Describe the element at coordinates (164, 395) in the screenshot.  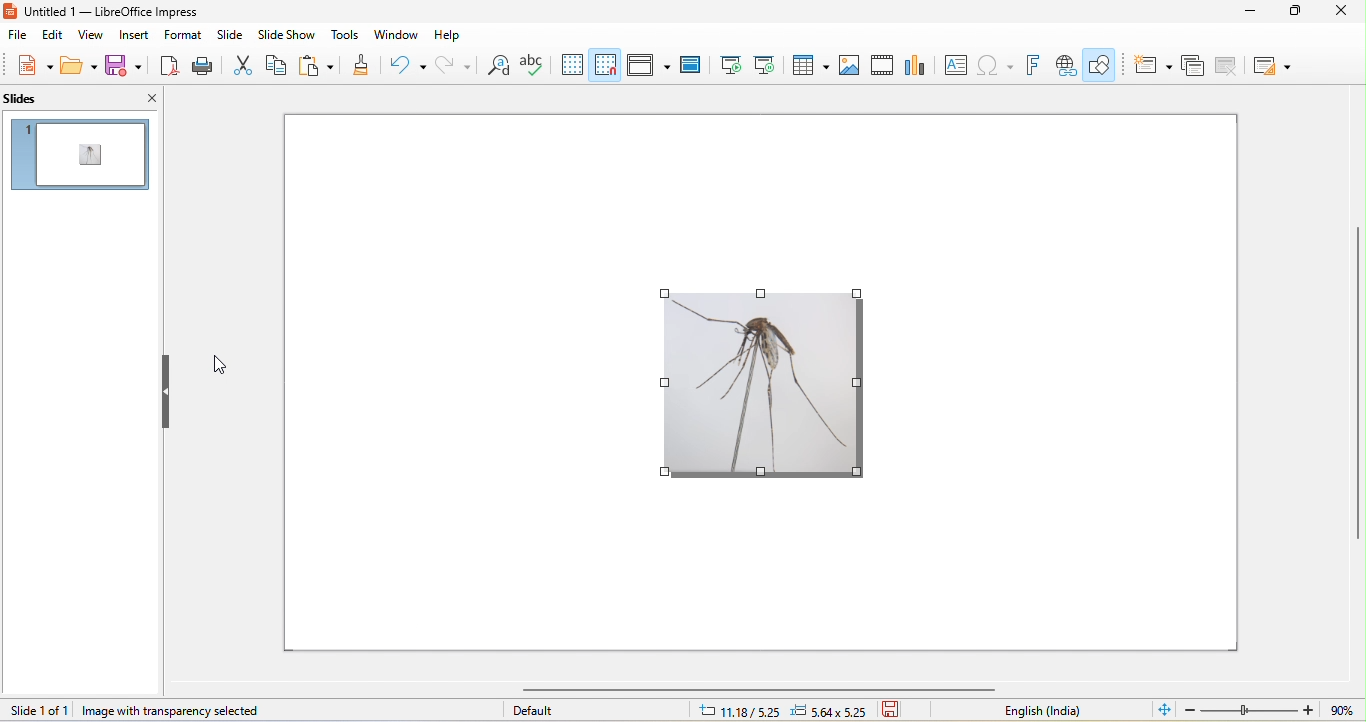
I see `Slider` at that location.